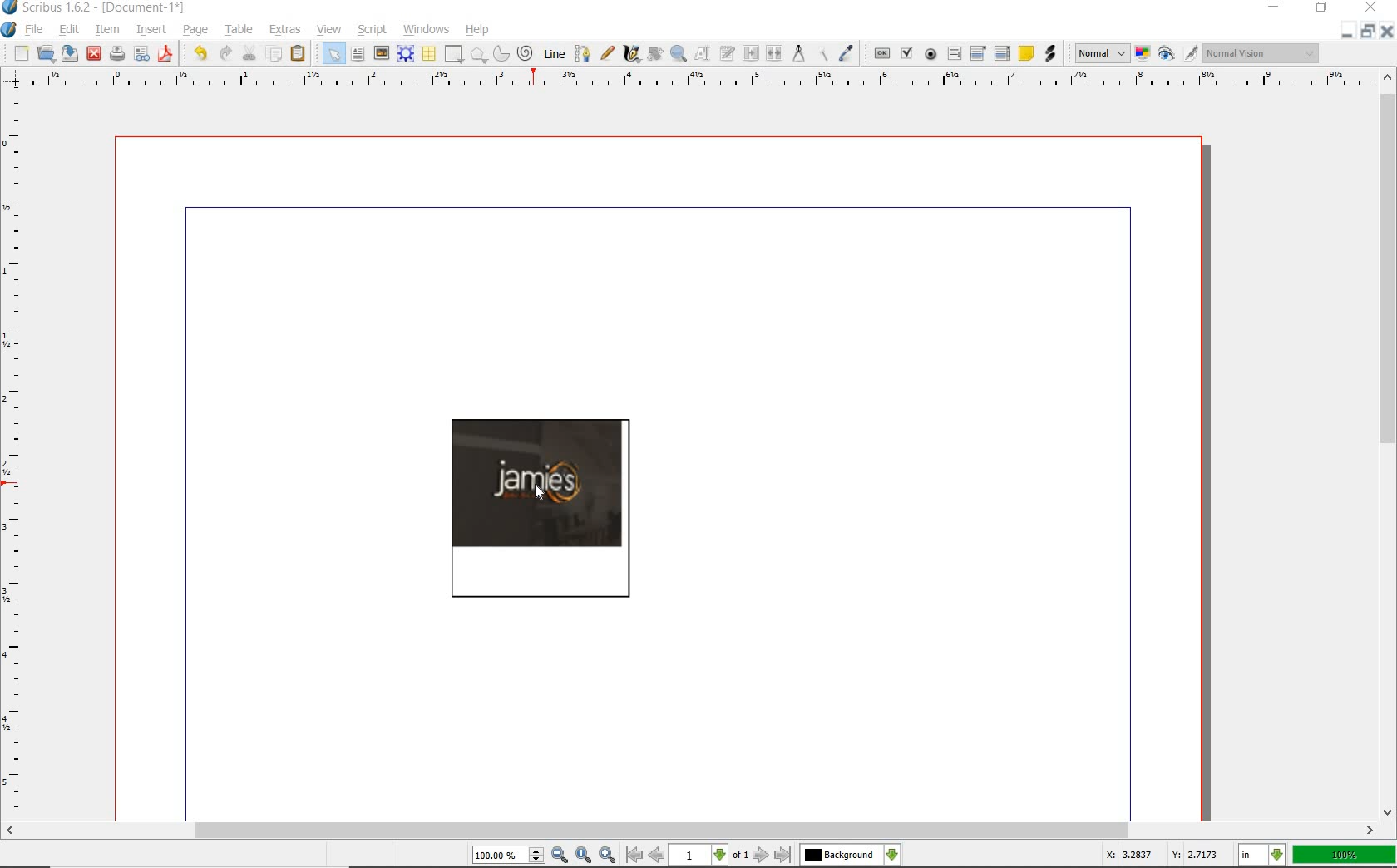  I want to click on UNDO, so click(224, 54).